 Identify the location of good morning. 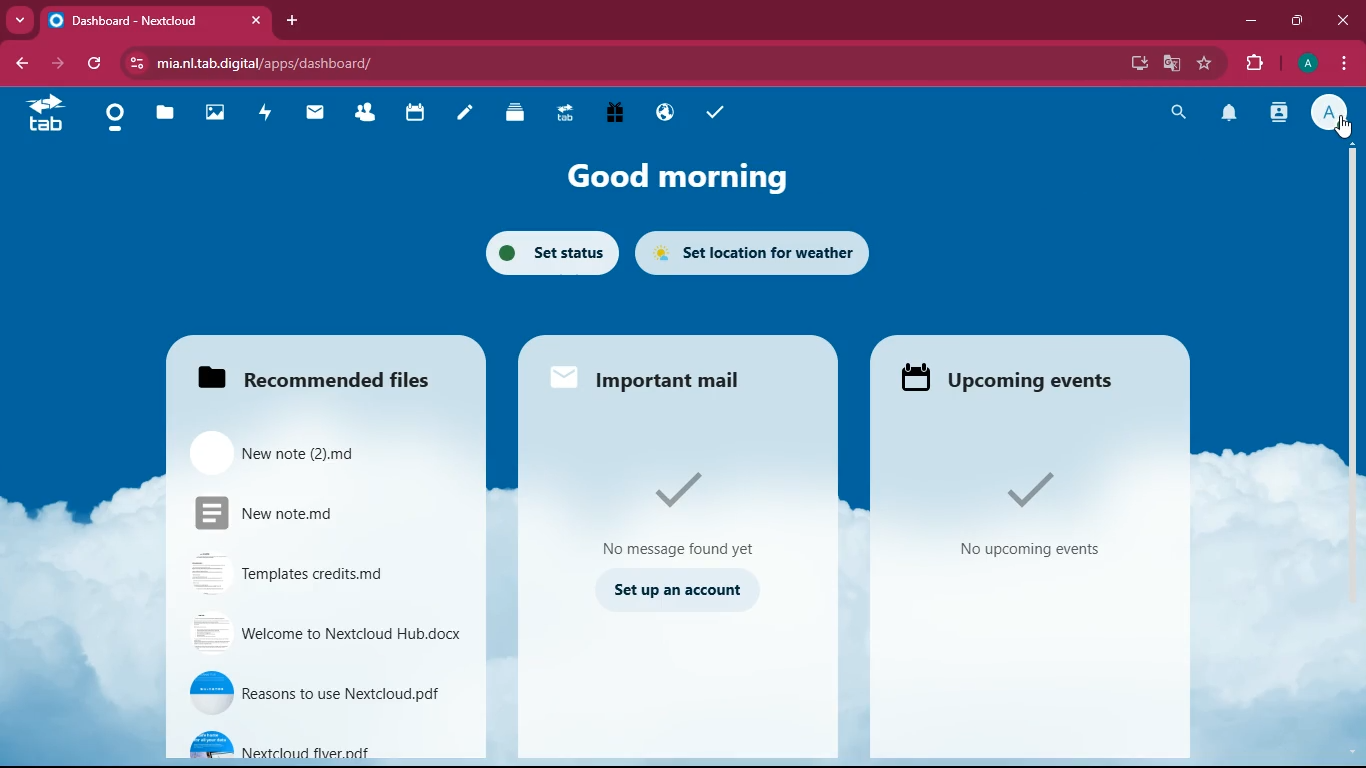
(686, 175).